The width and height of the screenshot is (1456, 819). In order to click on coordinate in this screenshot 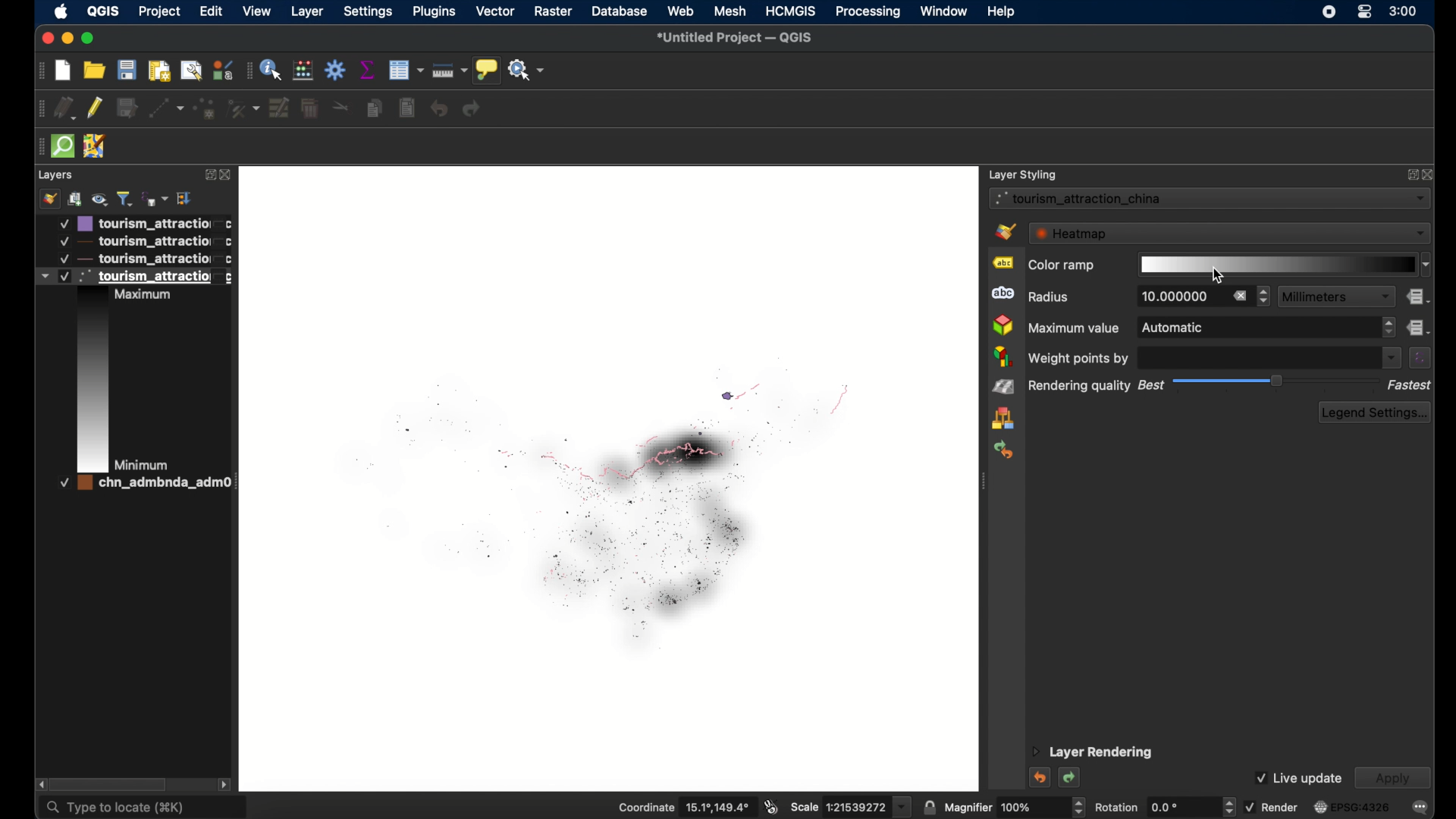, I will do `click(679, 806)`.